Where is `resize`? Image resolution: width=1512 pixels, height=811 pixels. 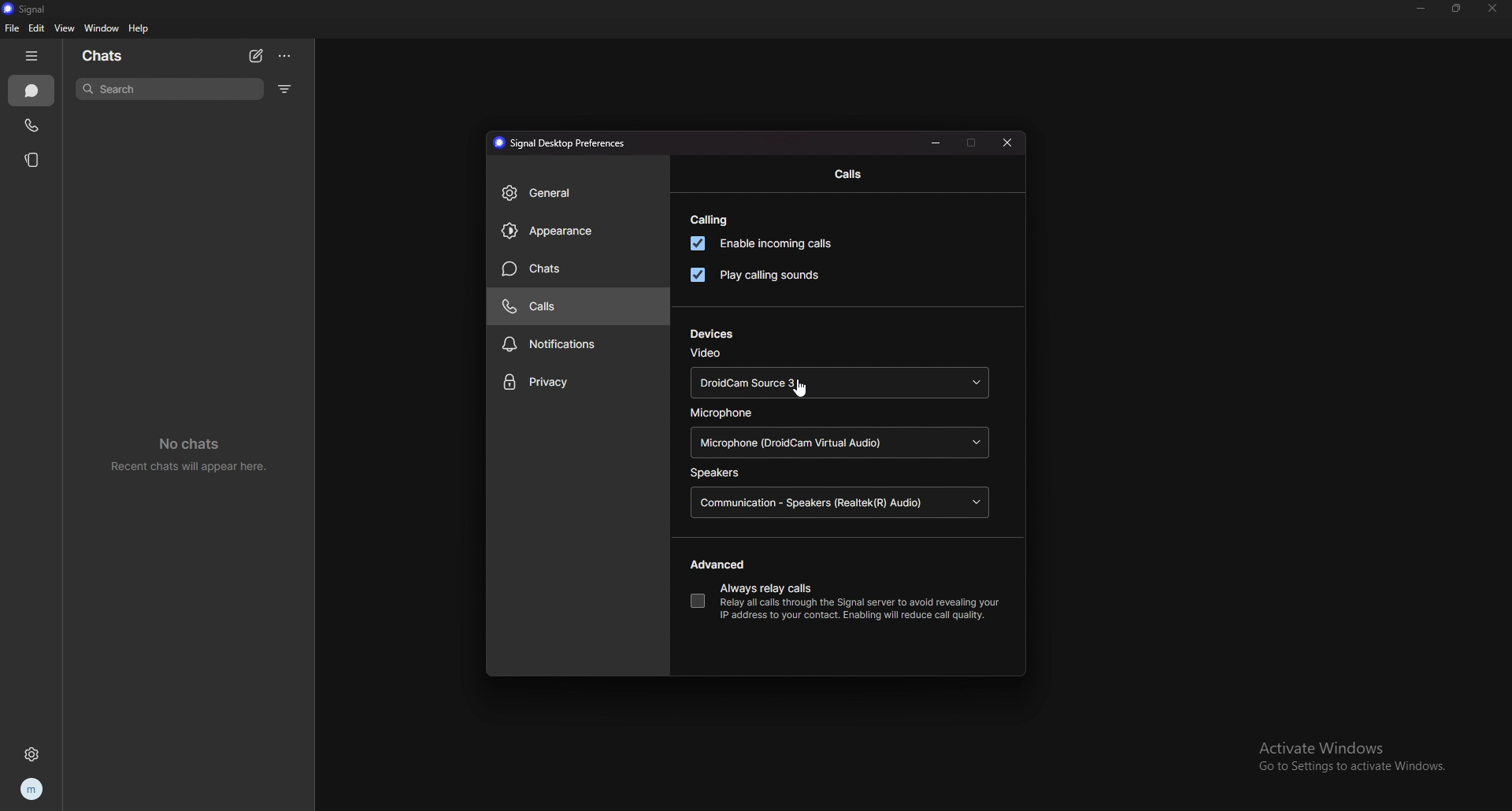
resize is located at coordinates (1457, 8).